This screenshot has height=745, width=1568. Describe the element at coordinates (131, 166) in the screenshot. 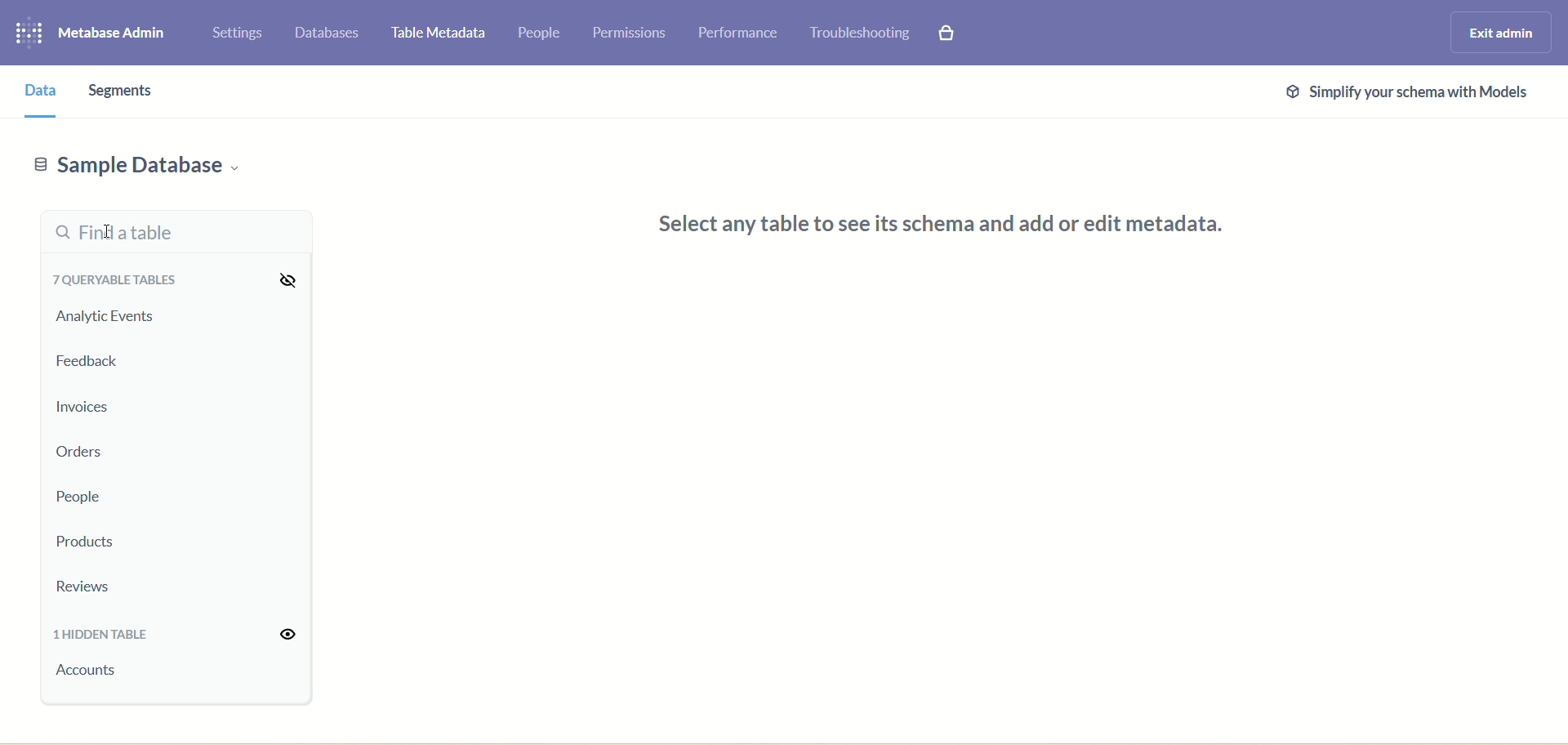

I see `sample database` at that location.